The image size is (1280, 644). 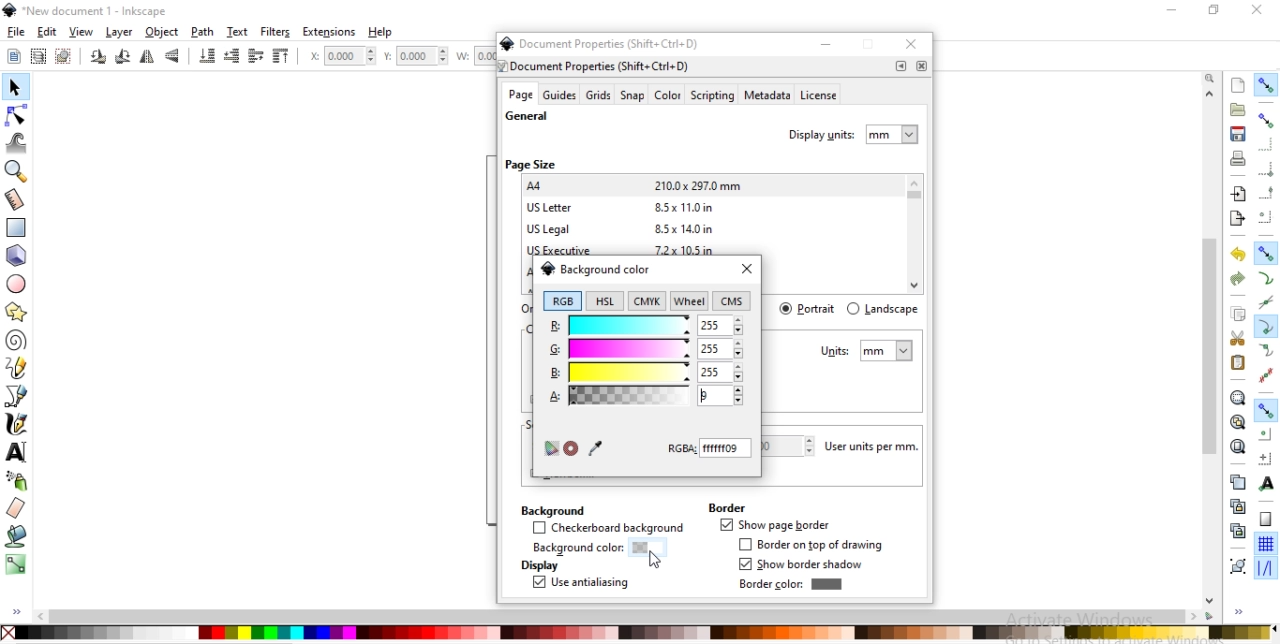 I want to click on export a document, so click(x=1237, y=219).